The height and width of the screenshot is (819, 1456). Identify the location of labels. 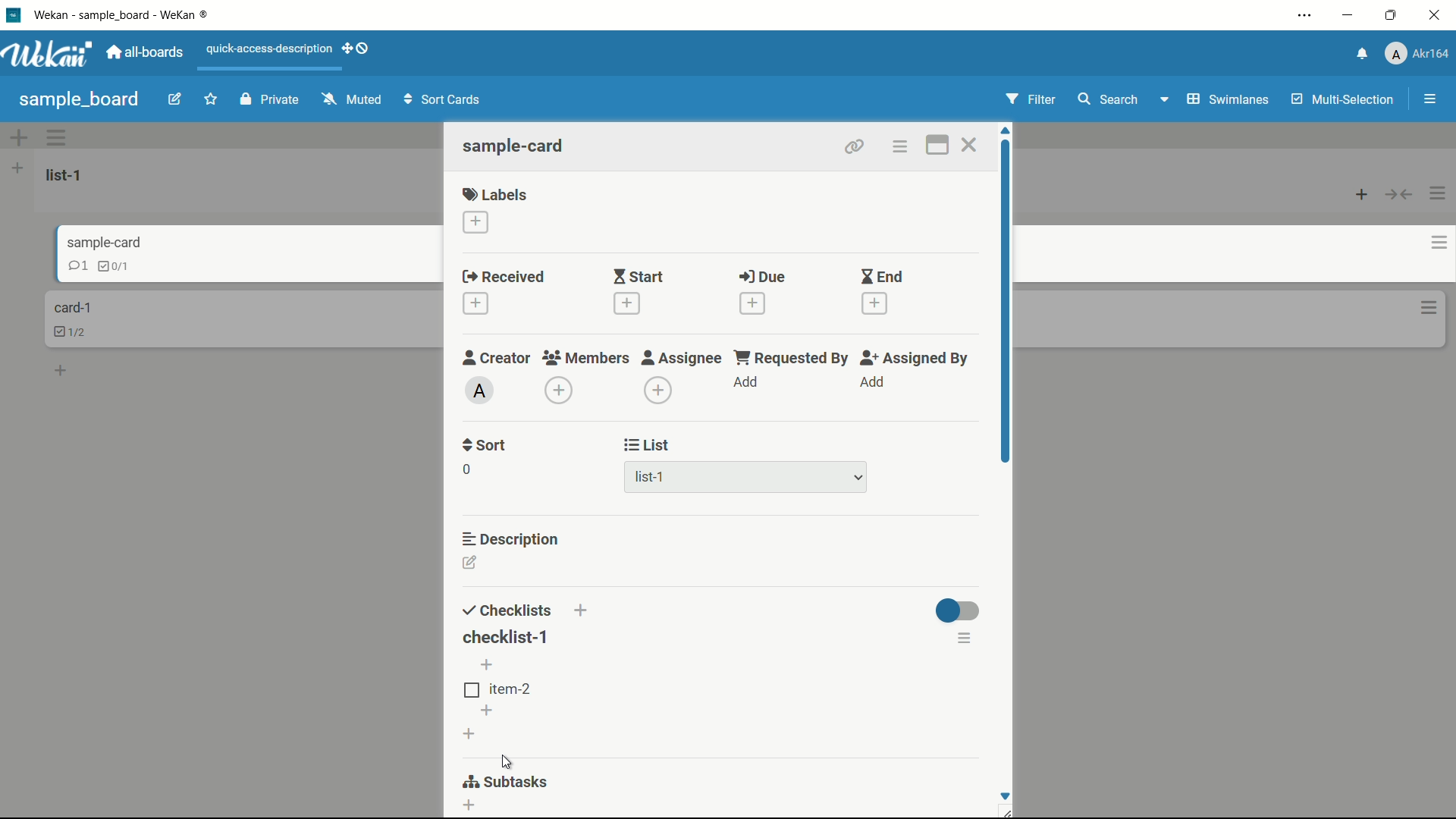
(495, 193).